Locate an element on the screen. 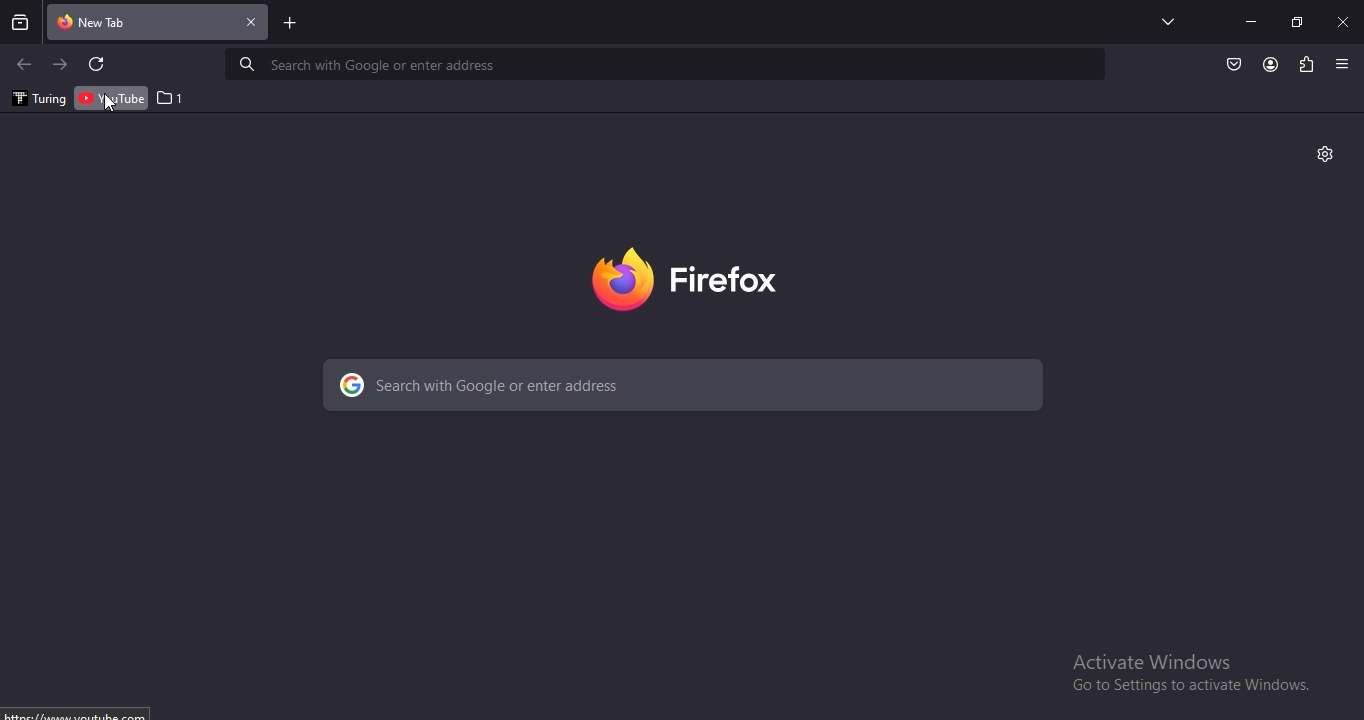  cursor is located at coordinates (112, 105).